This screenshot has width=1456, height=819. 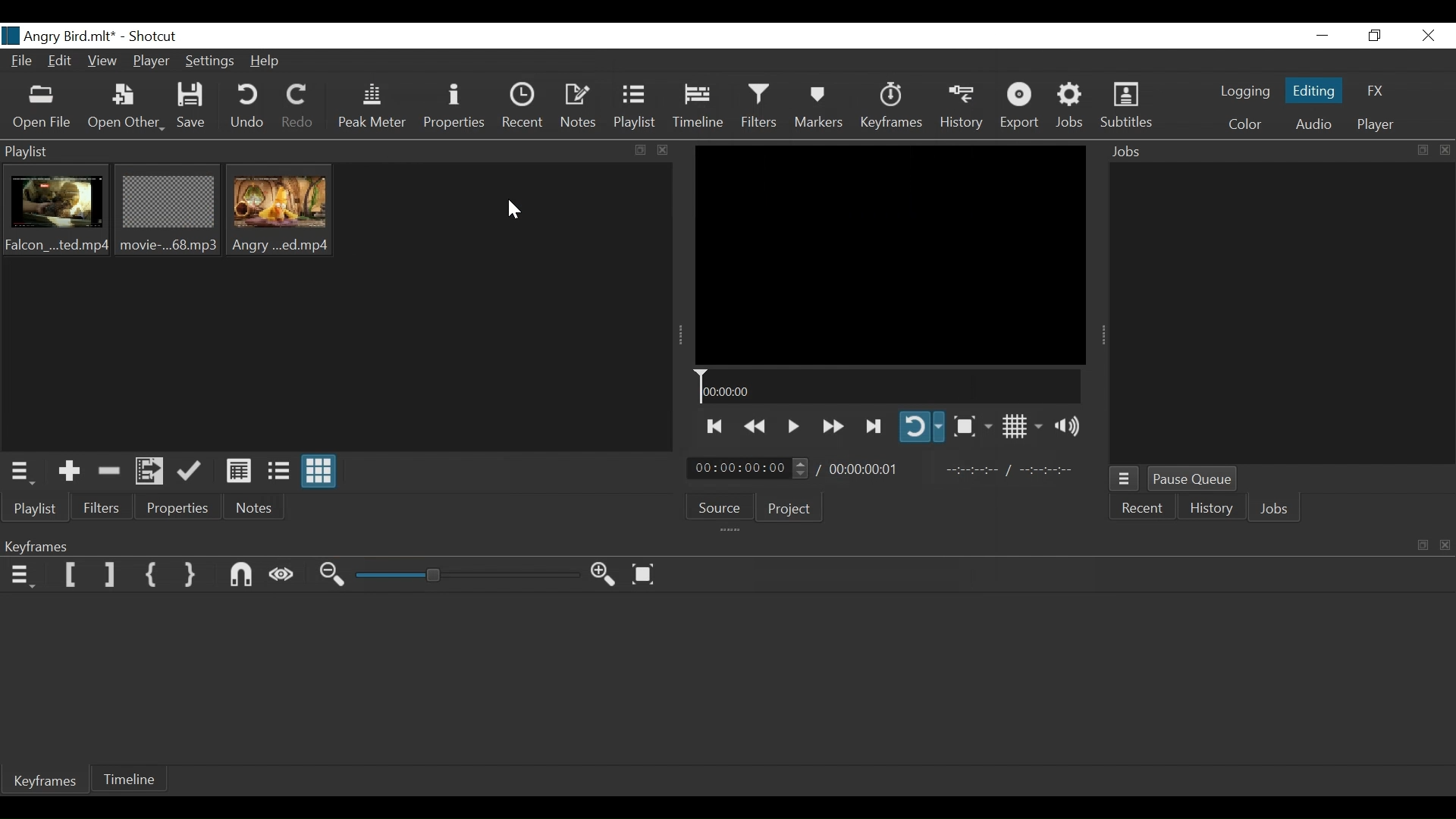 What do you see at coordinates (102, 508) in the screenshot?
I see `Filter` at bounding box center [102, 508].